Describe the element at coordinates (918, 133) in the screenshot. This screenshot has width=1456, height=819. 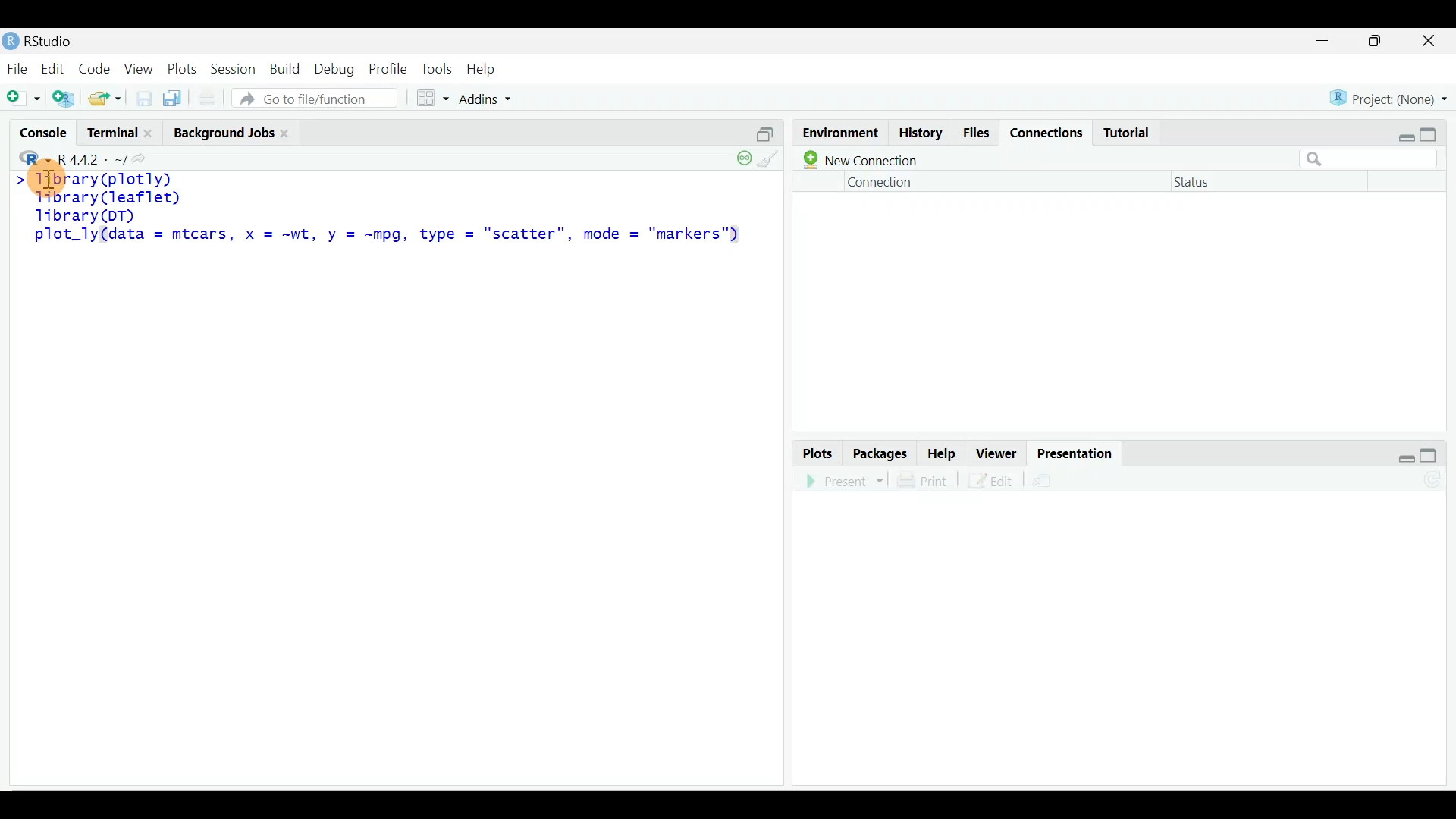
I see `History` at that location.